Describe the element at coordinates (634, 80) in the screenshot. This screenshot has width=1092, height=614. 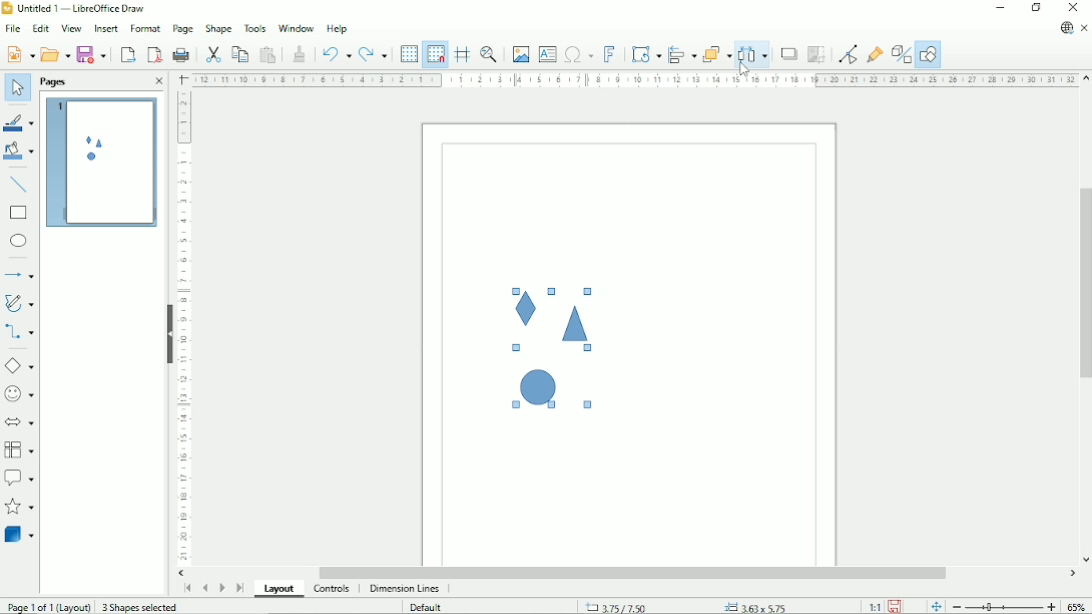
I see `Horizontal scale` at that location.